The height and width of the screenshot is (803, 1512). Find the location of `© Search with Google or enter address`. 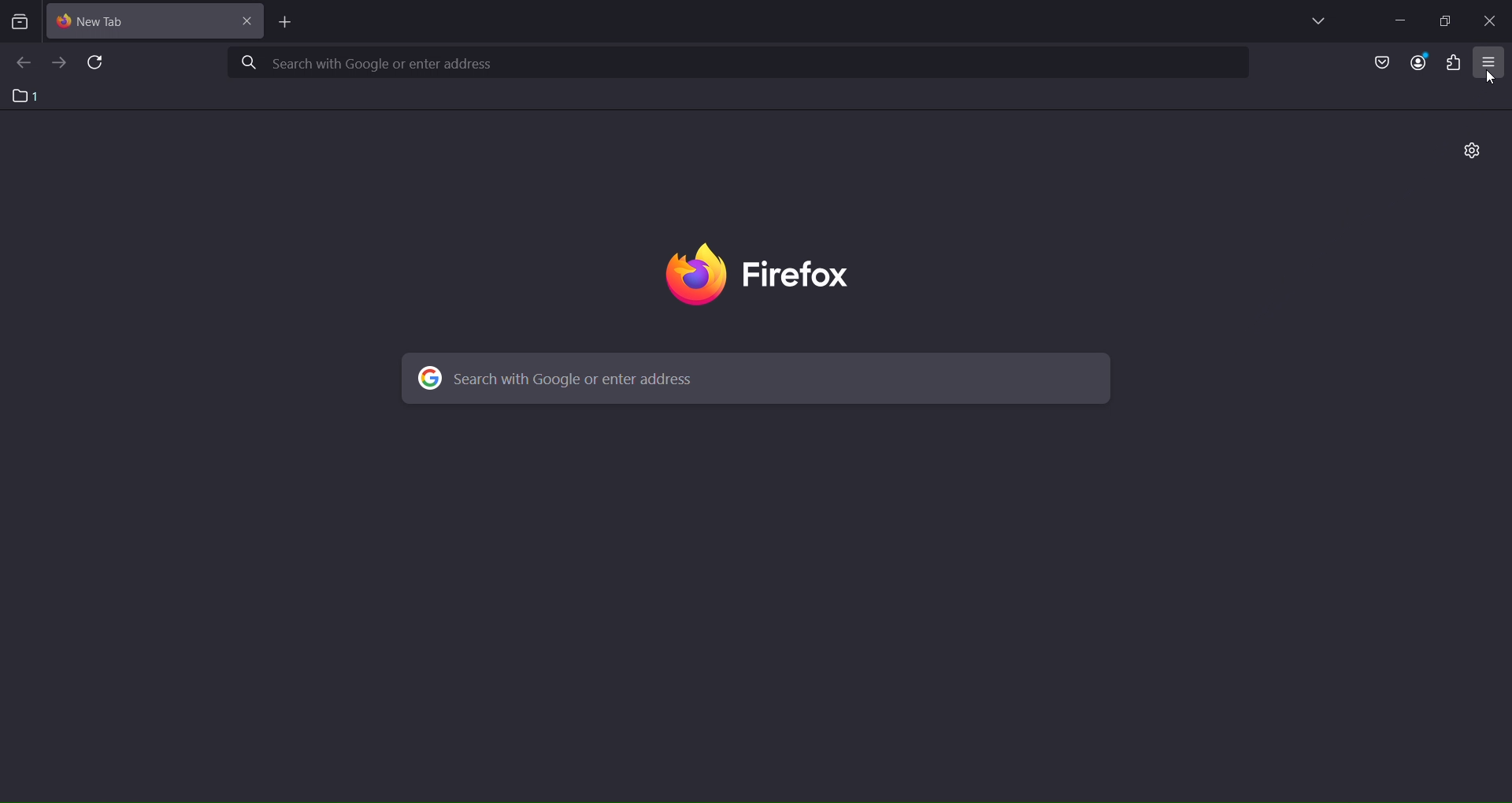

© Search with Google or enter address is located at coordinates (569, 379).